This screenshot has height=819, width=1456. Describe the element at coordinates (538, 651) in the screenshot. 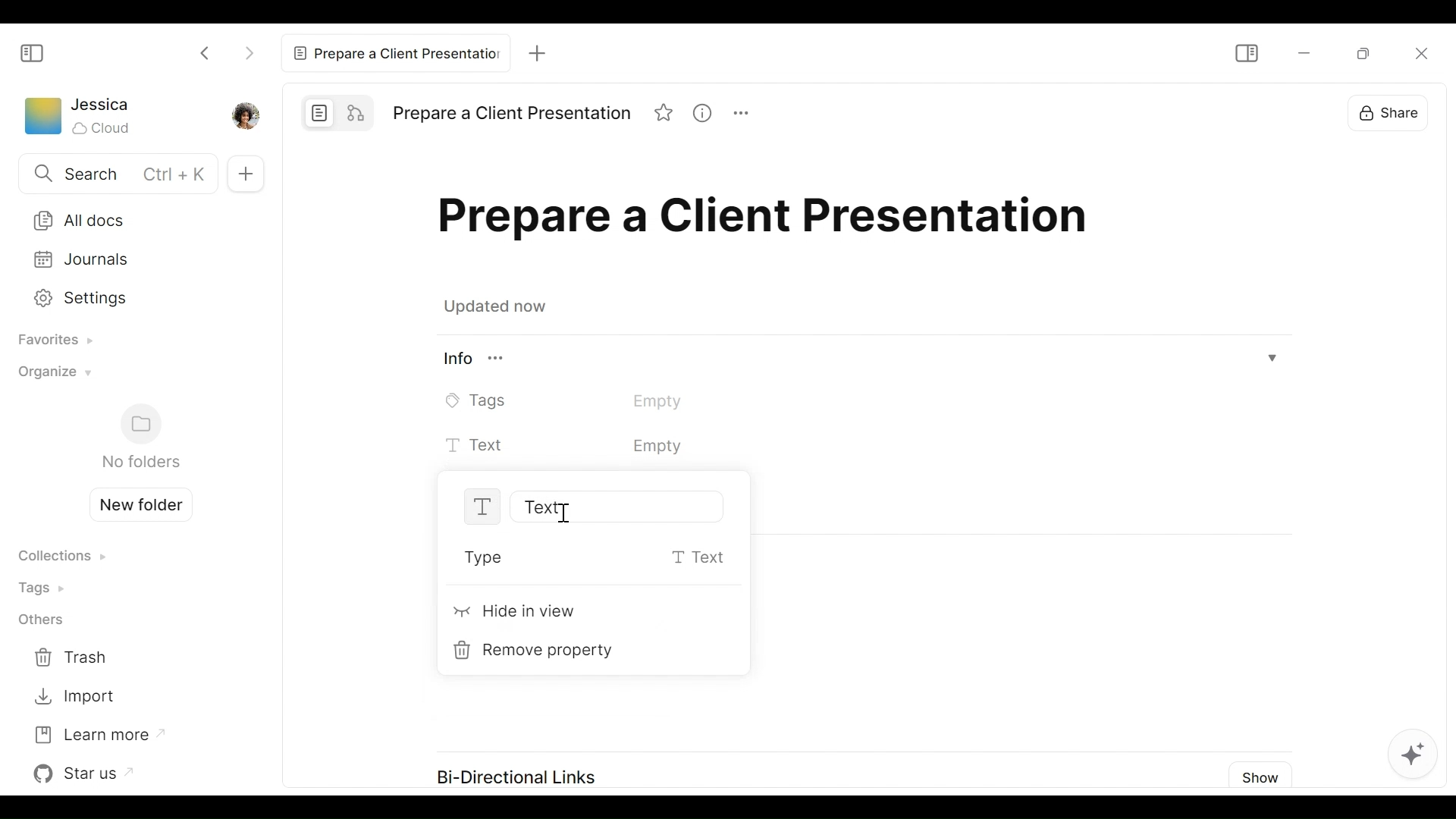

I see `Remove property` at that location.